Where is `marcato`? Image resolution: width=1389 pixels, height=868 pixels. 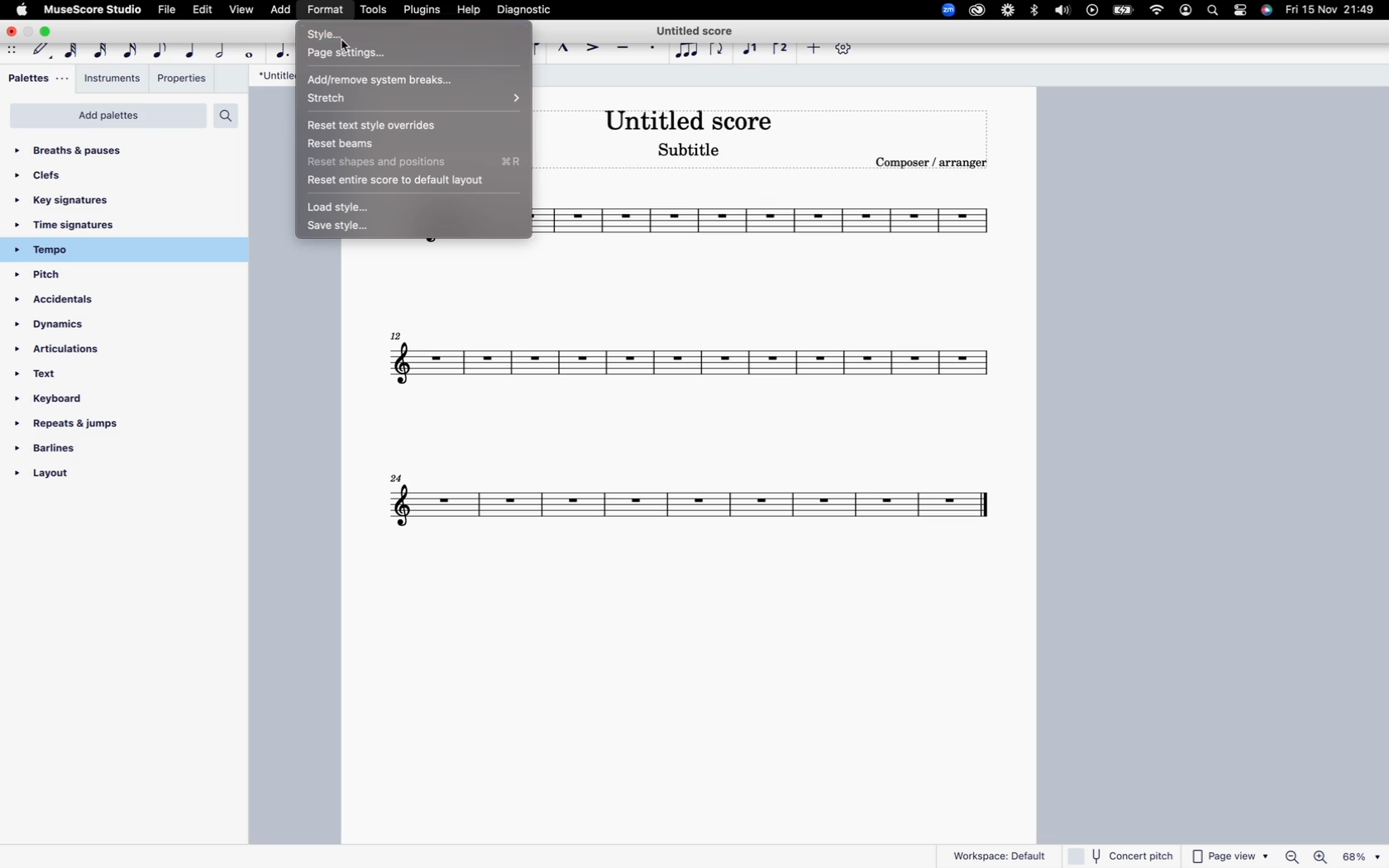
marcato is located at coordinates (566, 48).